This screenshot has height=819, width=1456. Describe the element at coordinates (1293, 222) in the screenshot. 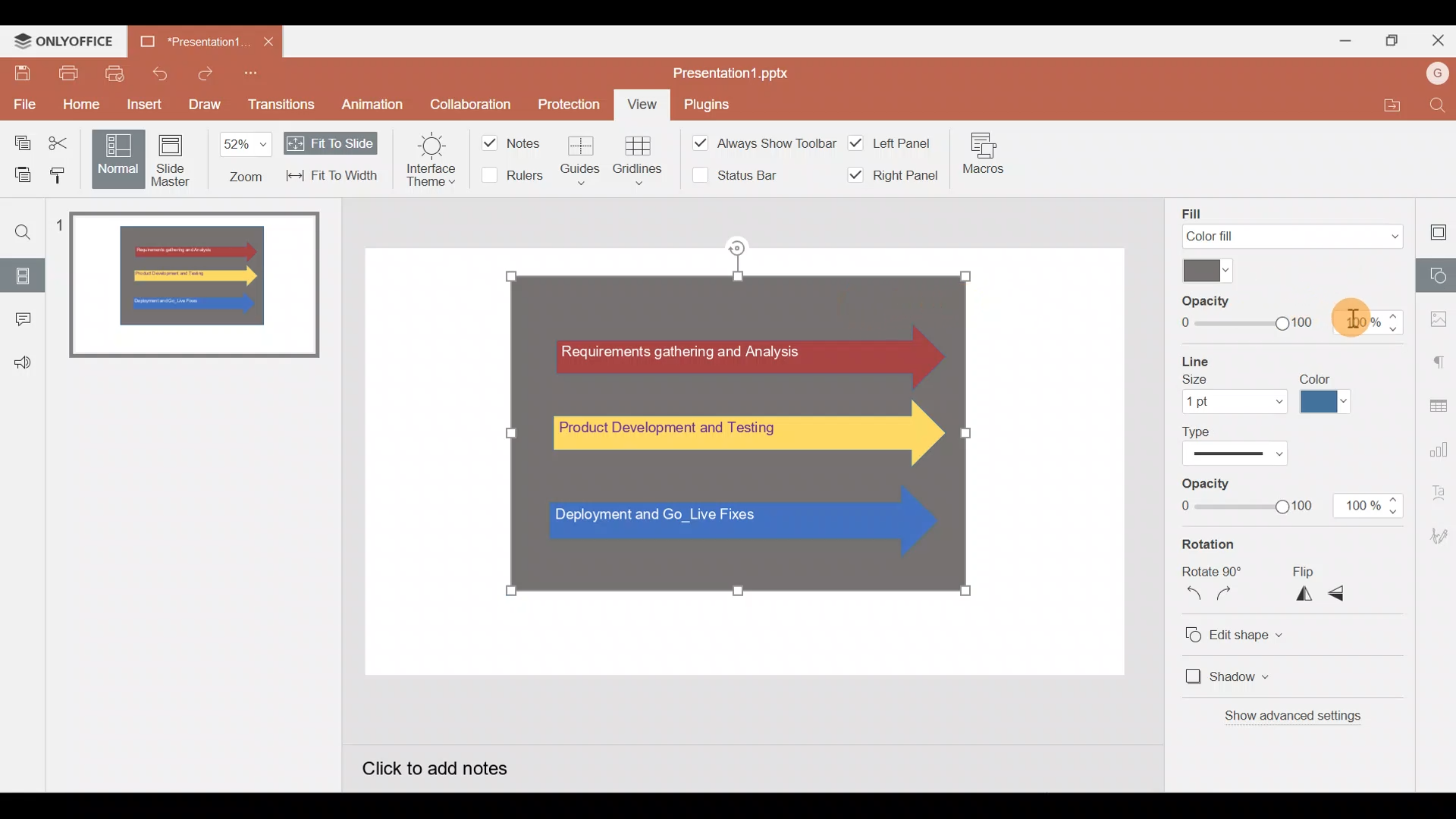

I see `Fill` at that location.